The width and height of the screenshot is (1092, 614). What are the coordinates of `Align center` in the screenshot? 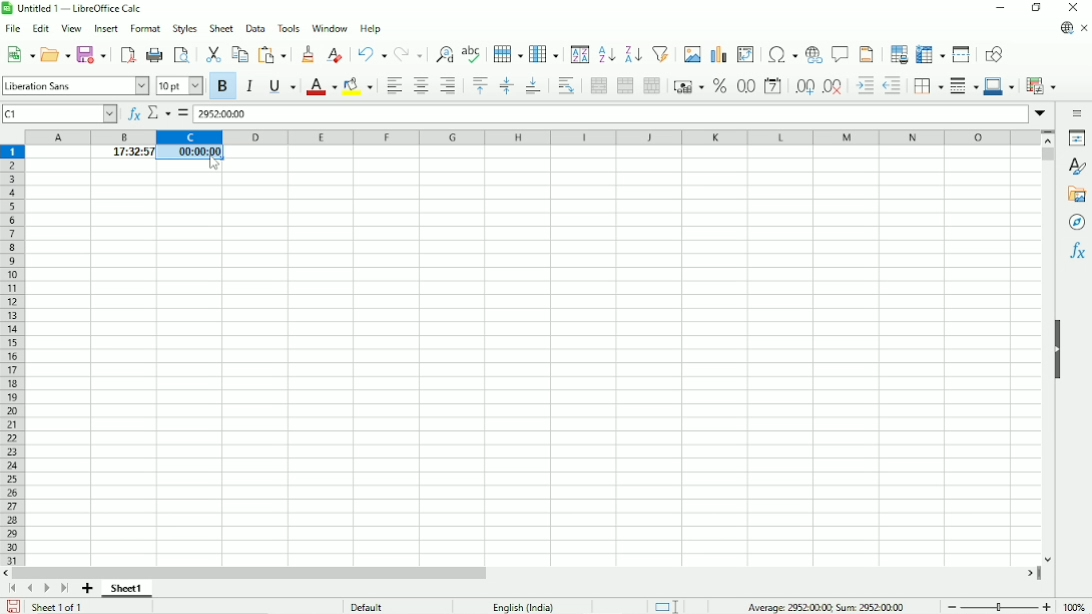 It's located at (421, 85).